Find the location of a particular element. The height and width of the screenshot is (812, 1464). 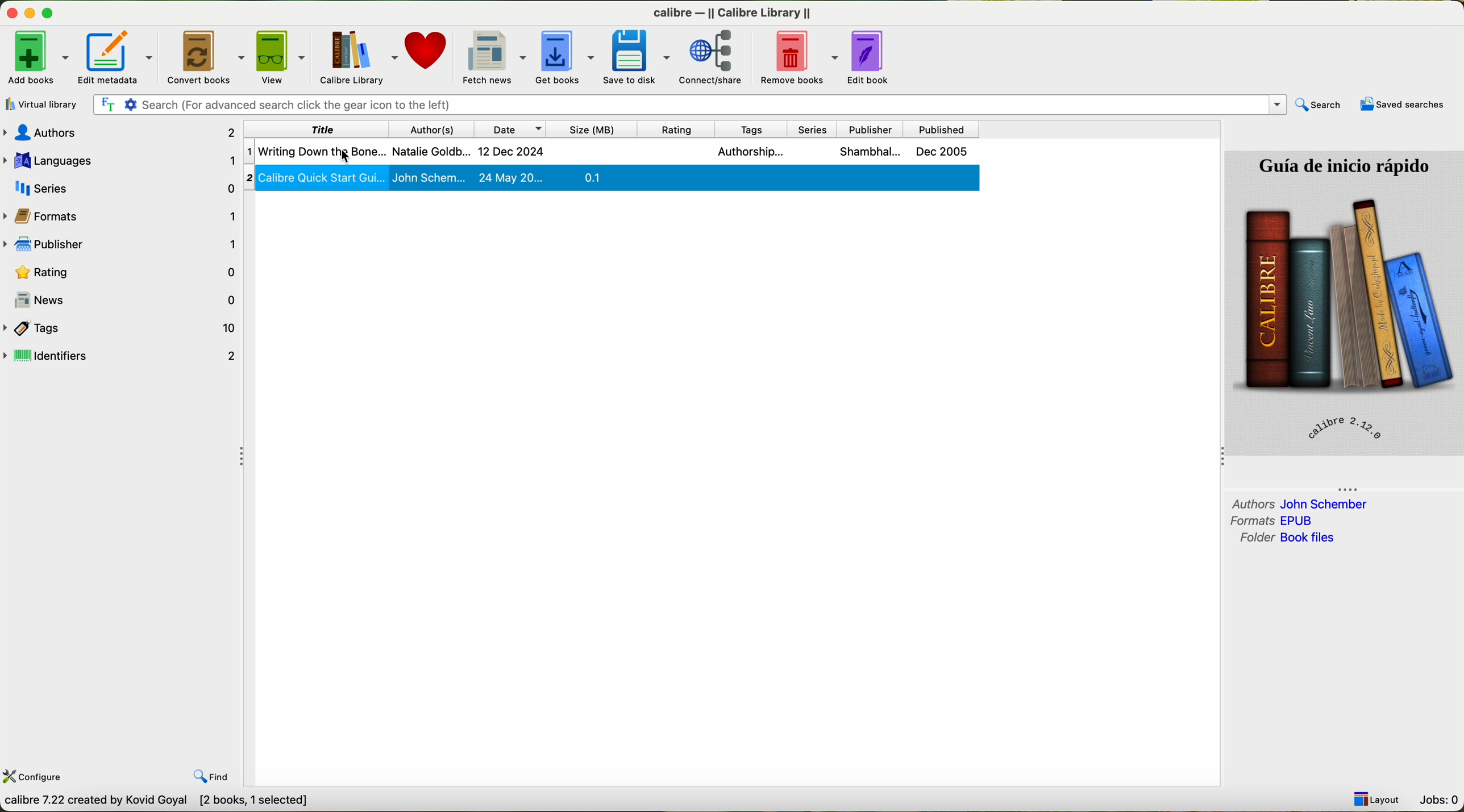

edit metadata is located at coordinates (120, 55).